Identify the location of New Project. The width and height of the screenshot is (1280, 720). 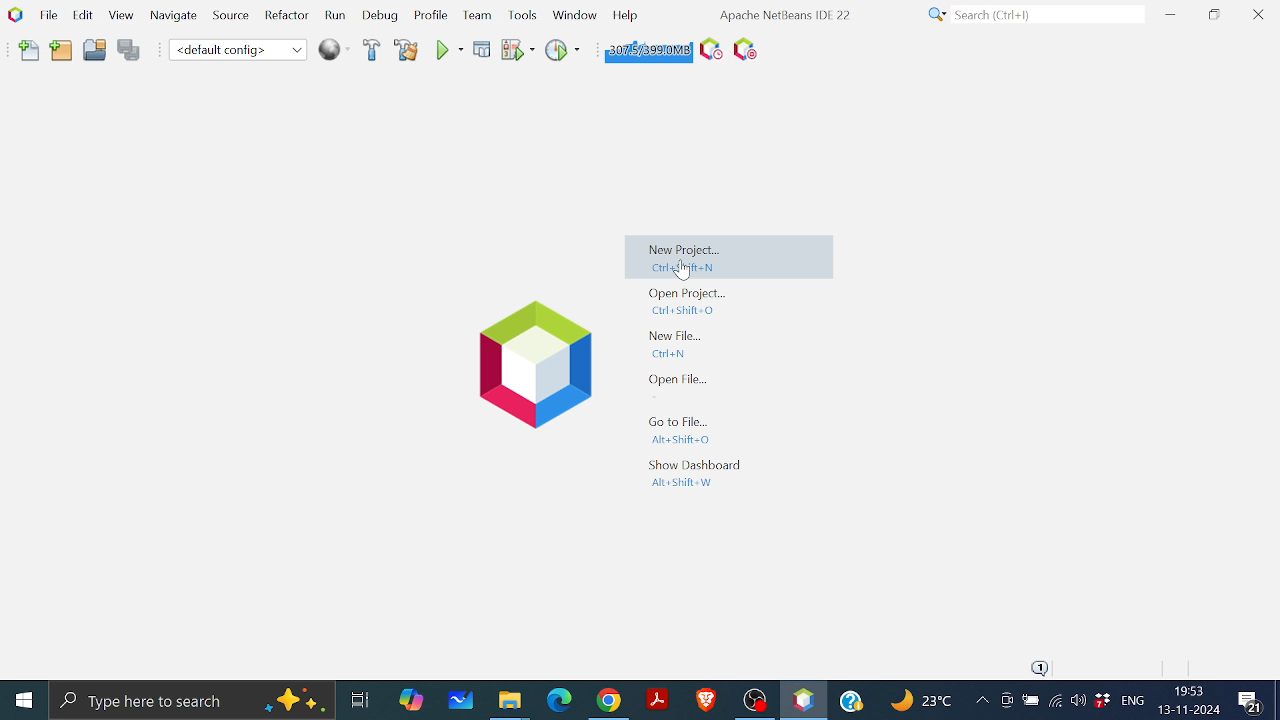
(731, 260).